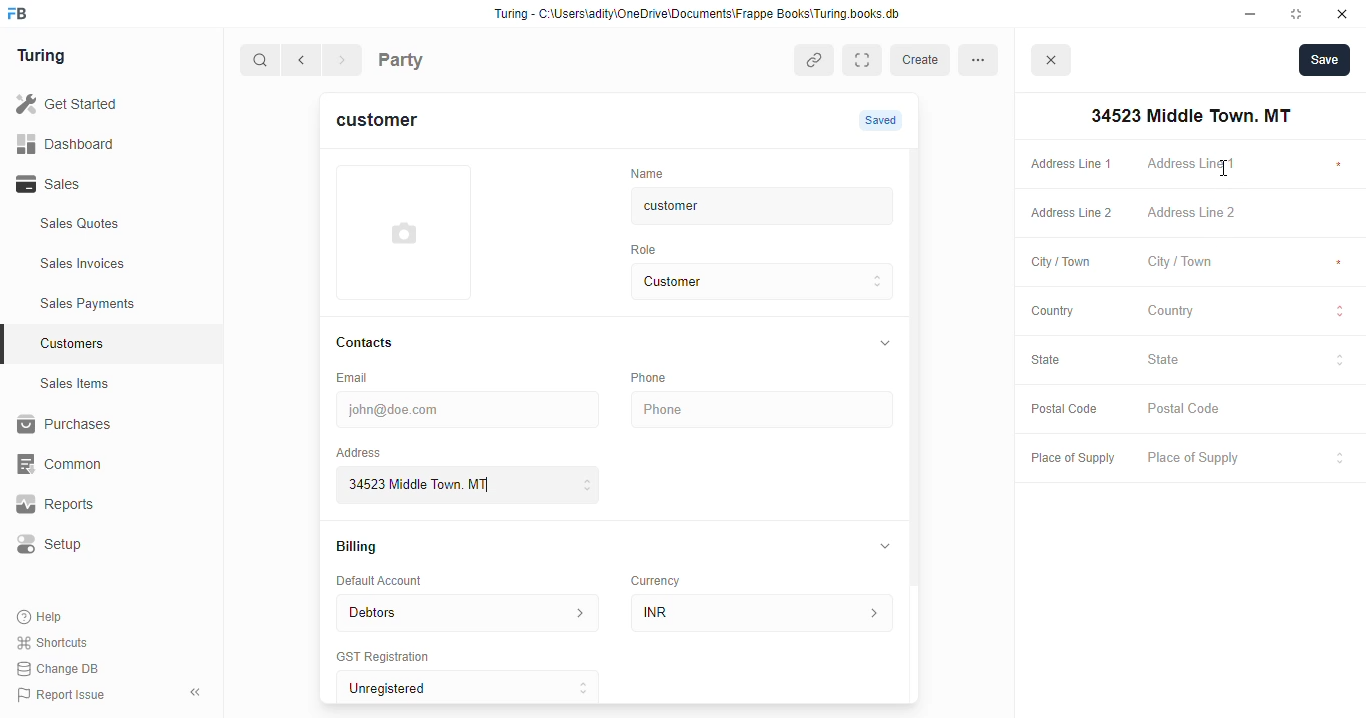 The width and height of the screenshot is (1366, 718). What do you see at coordinates (1232, 169) in the screenshot?
I see `cursor` at bounding box center [1232, 169].